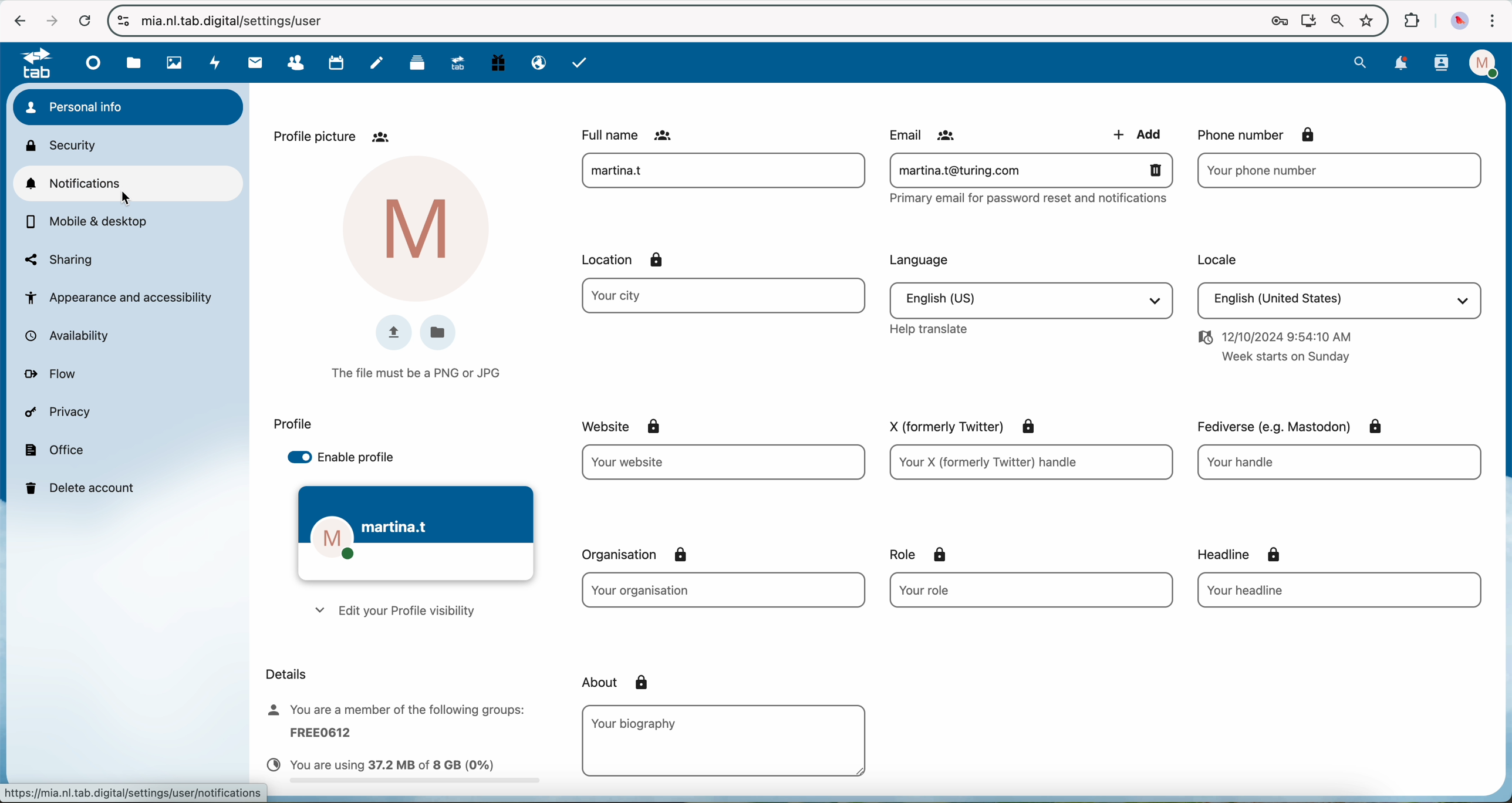 This screenshot has height=803, width=1512. I want to click on full name, so click(628, 133).